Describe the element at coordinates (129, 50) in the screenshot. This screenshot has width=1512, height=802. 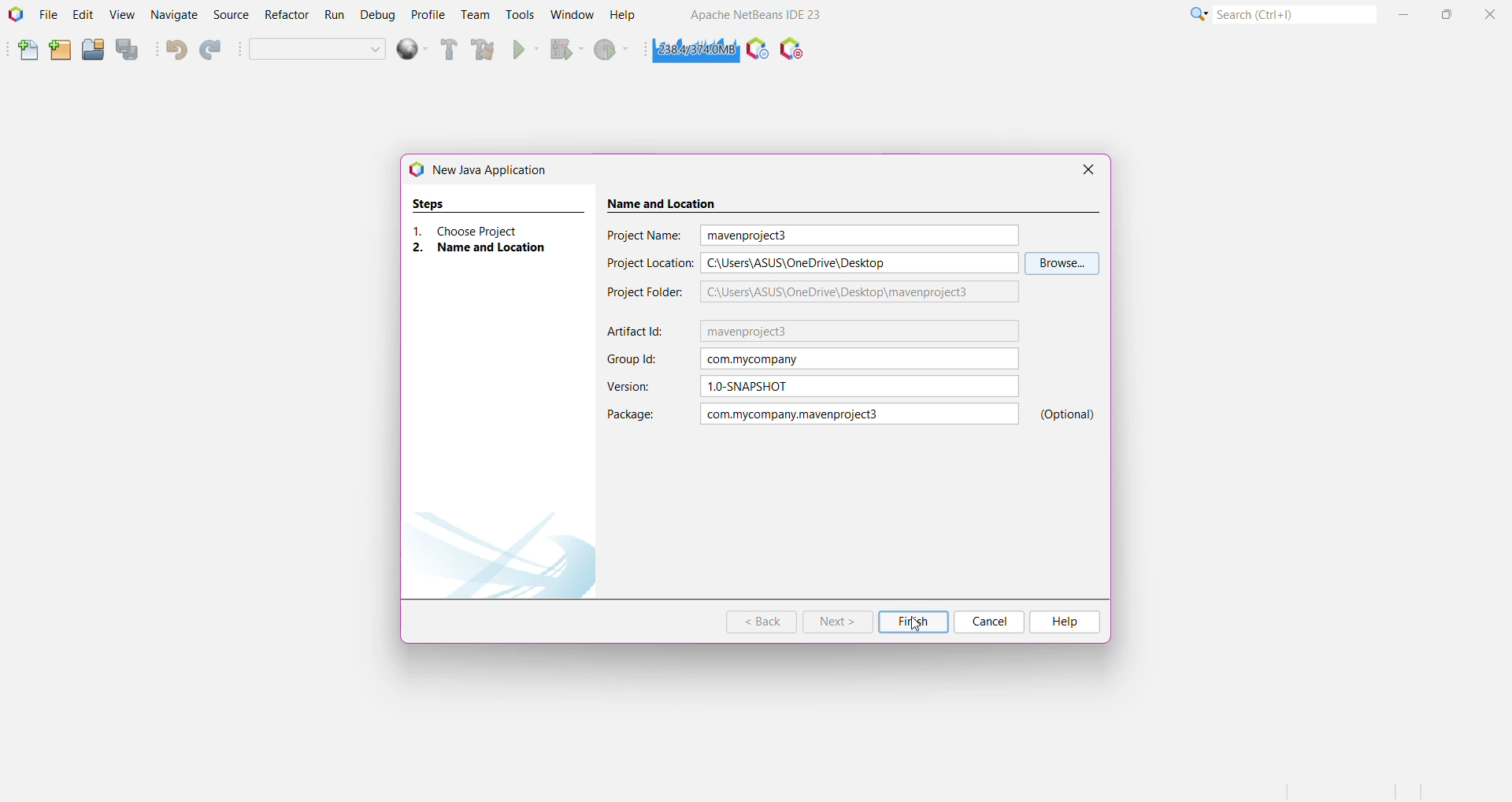
I see `Save All` at that location.